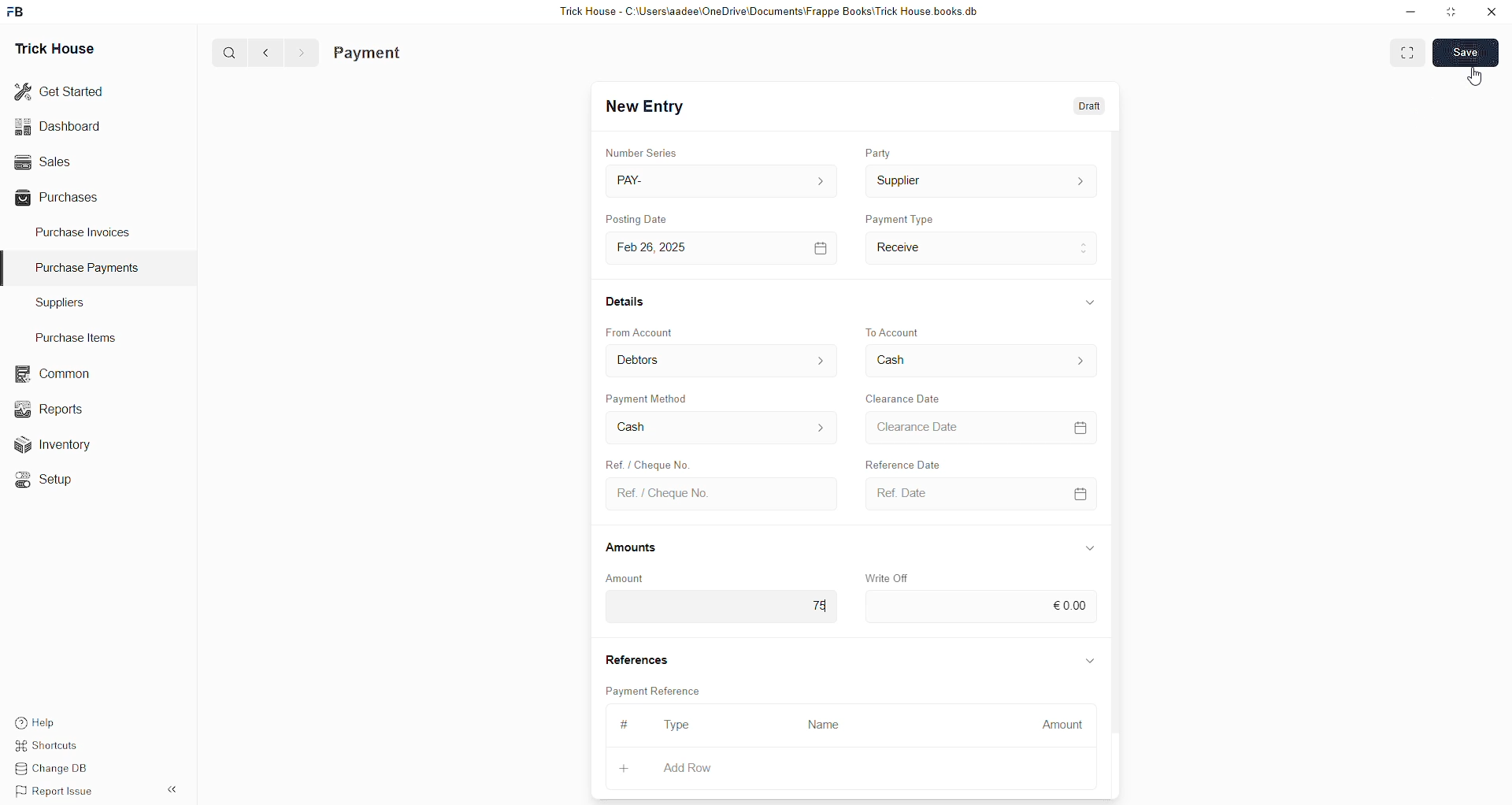 The image size is (1512, 805). Describe the element at coordinates (1452, 15) in the screenshot. I see `Maximize` at that location.